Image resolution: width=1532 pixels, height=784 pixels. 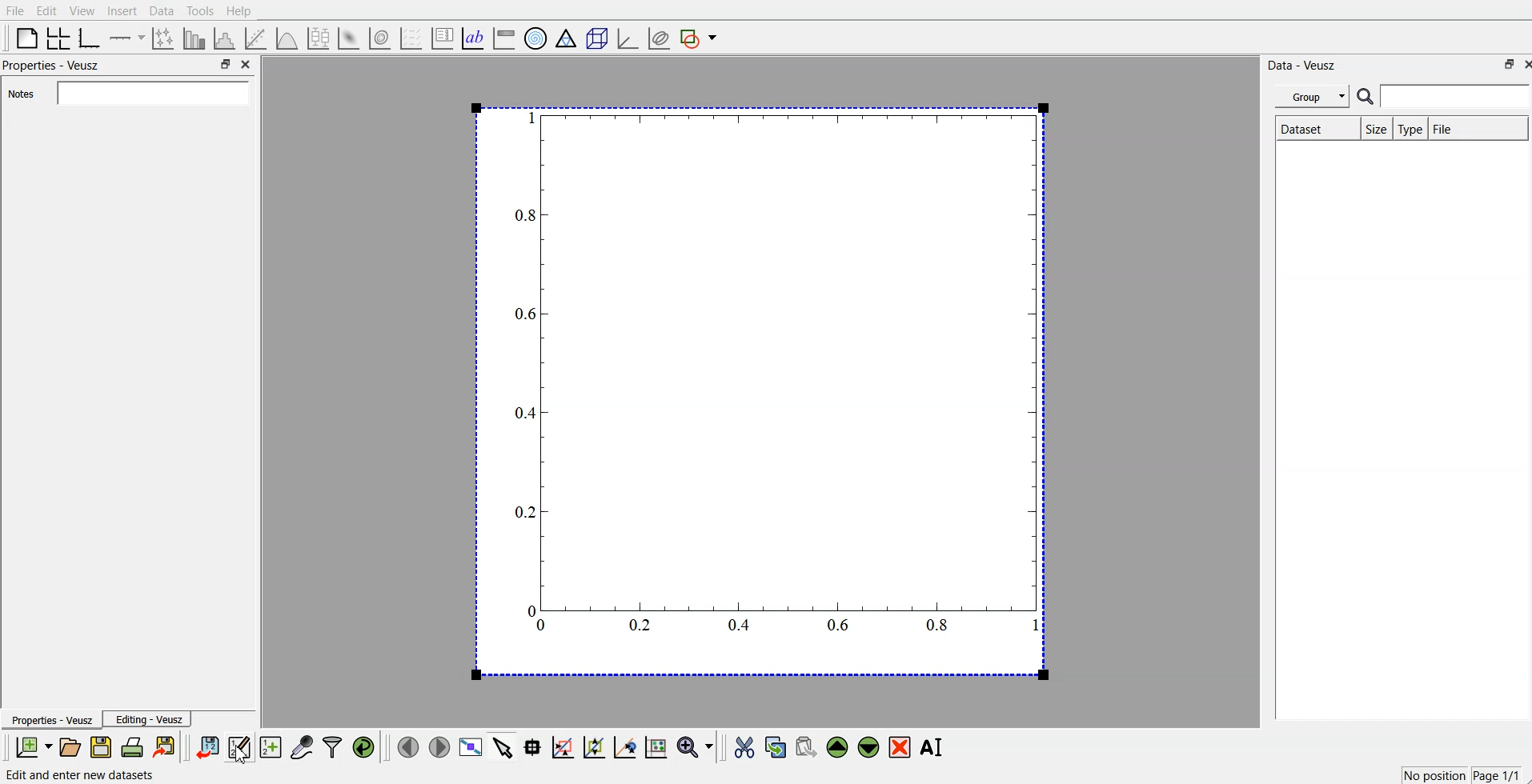 What do you see at coordinates (503, 37) in the screenshot?
I see `image color bar` at bounding box center [503, 37].